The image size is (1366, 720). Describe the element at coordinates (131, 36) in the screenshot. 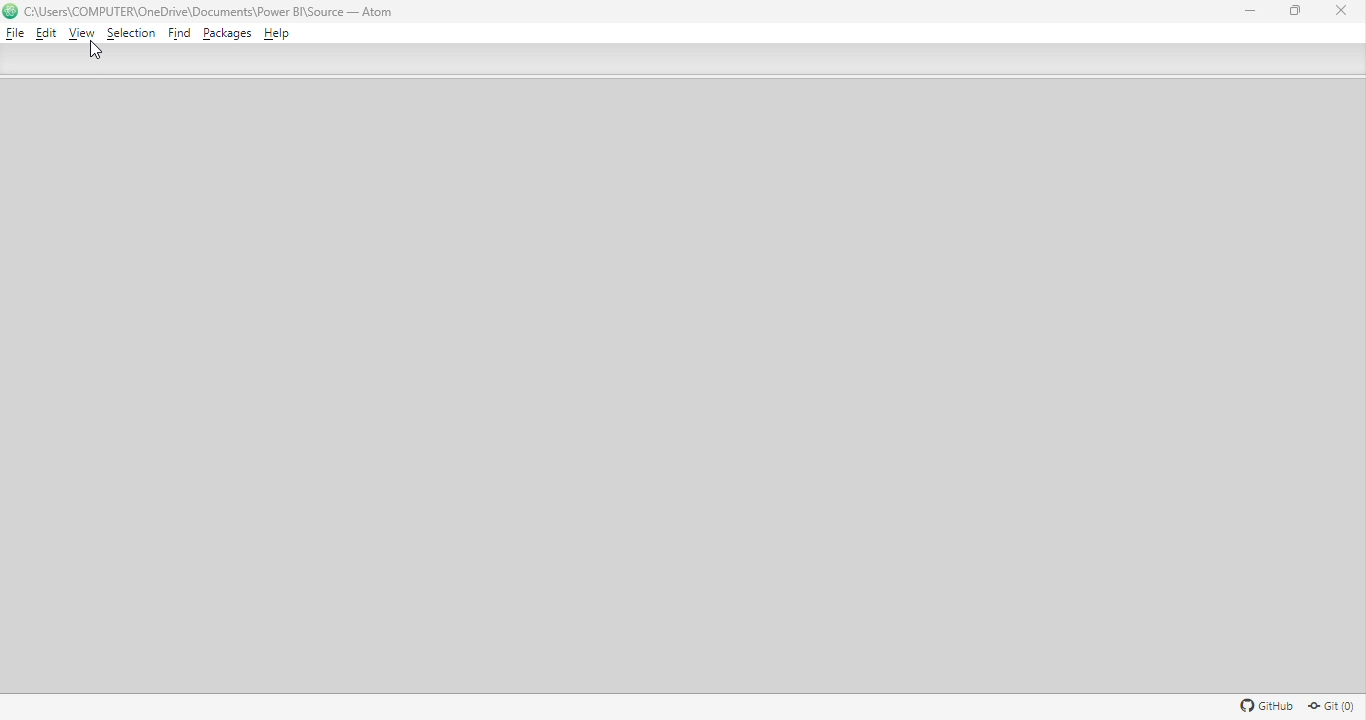

I see `Selection` at that location.